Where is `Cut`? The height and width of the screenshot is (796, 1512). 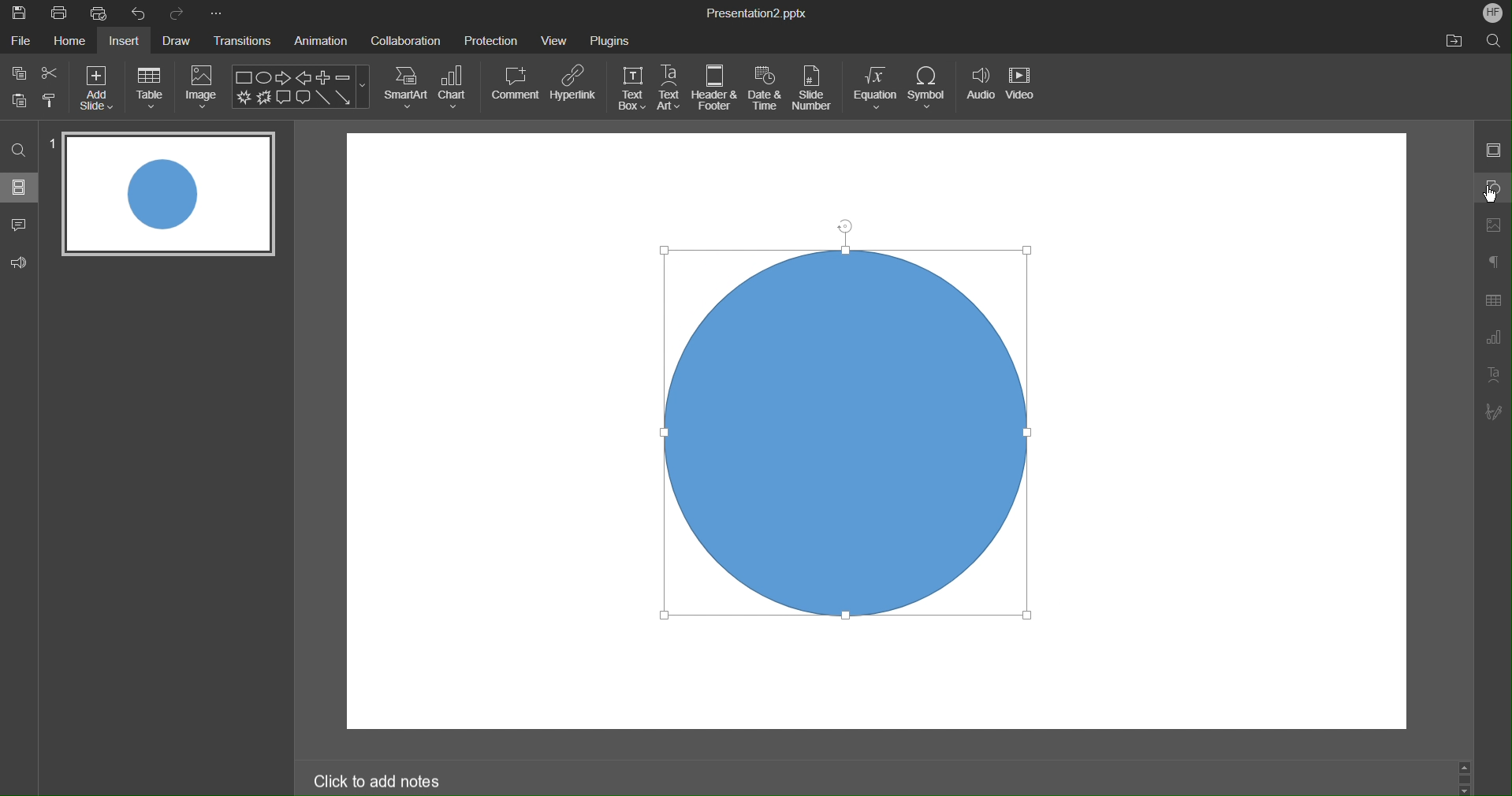 Cut is located at coordinates (51, 73).